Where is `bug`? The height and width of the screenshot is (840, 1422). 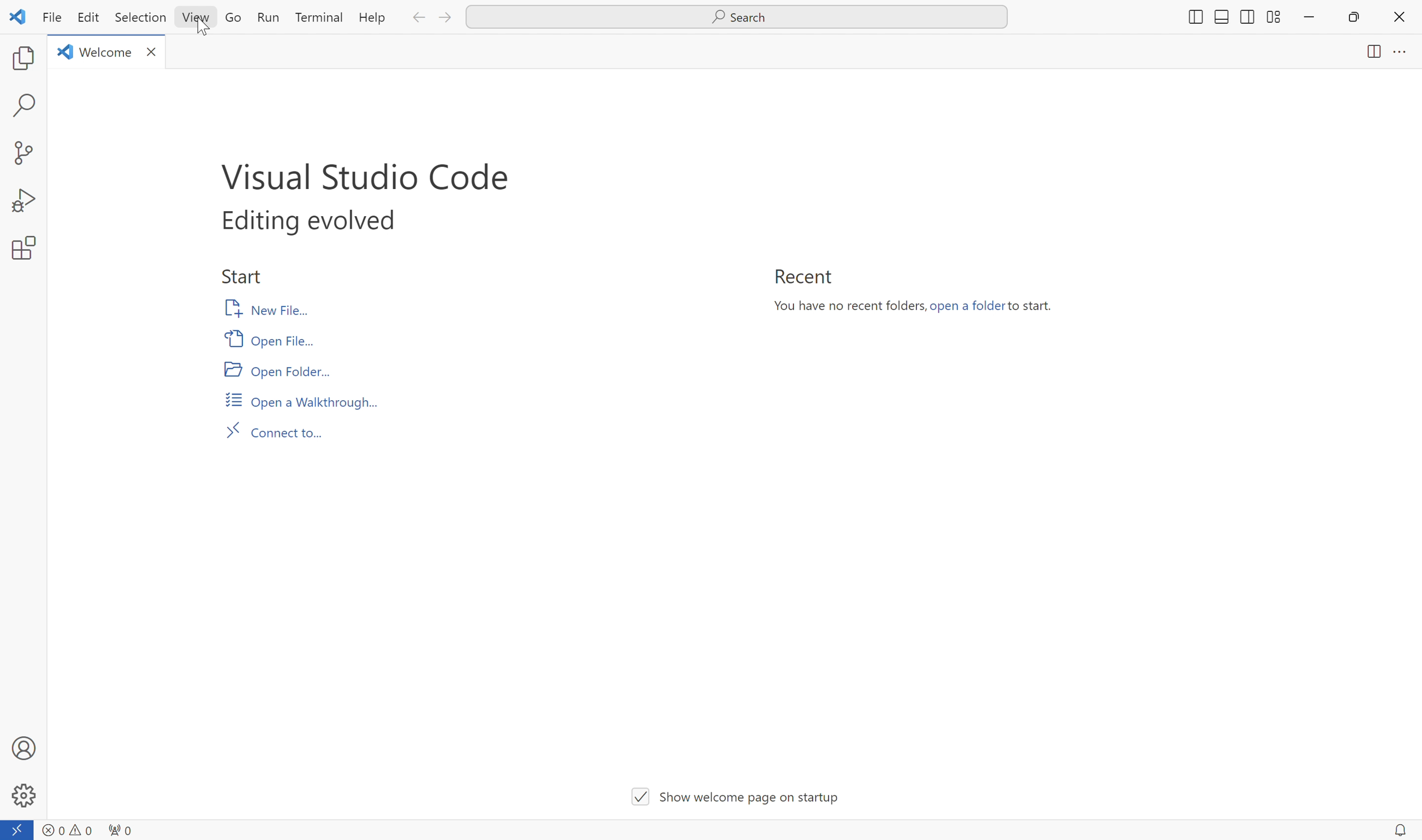 bug is located at coordinates (24, 198).